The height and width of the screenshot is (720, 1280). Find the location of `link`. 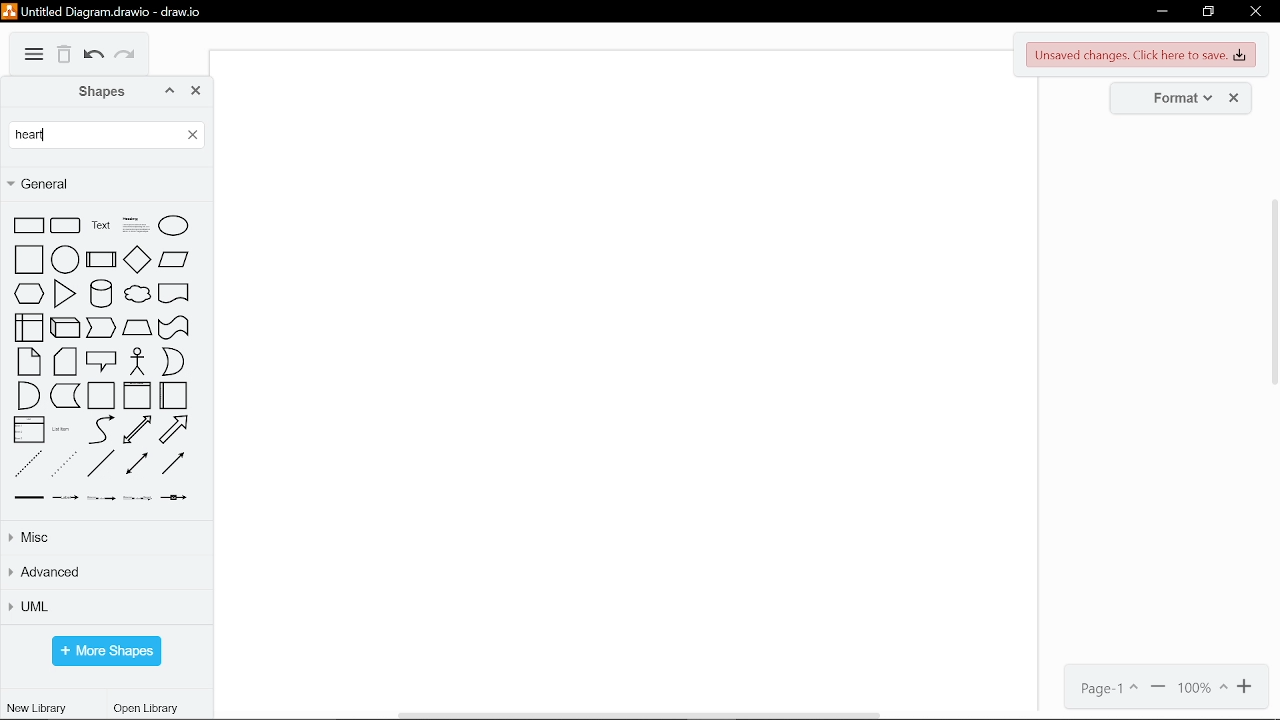

link is located at coordinates (30, 497).